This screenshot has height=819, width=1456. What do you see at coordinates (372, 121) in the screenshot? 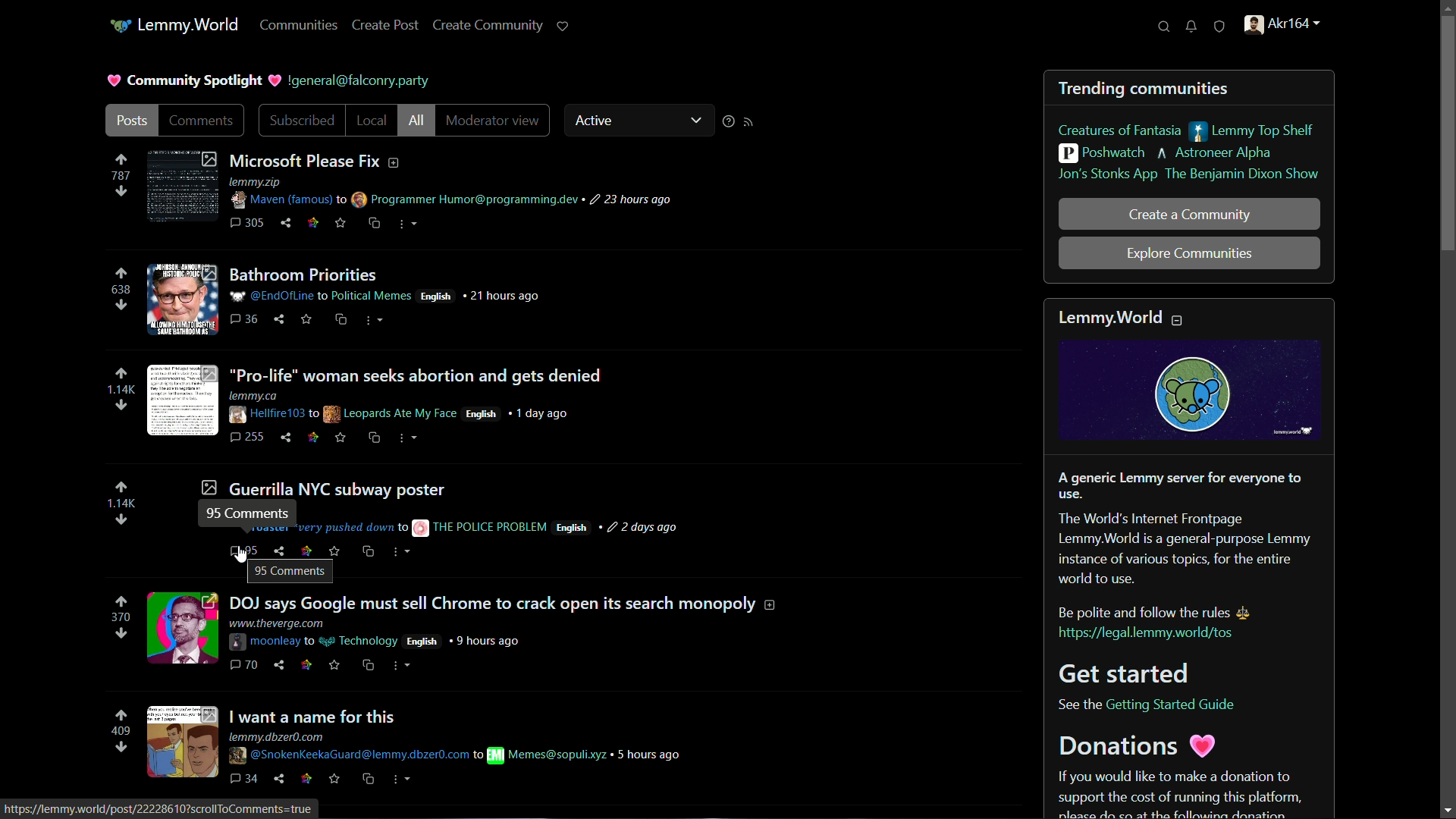
I see `local` at bounding box center [372, 121].